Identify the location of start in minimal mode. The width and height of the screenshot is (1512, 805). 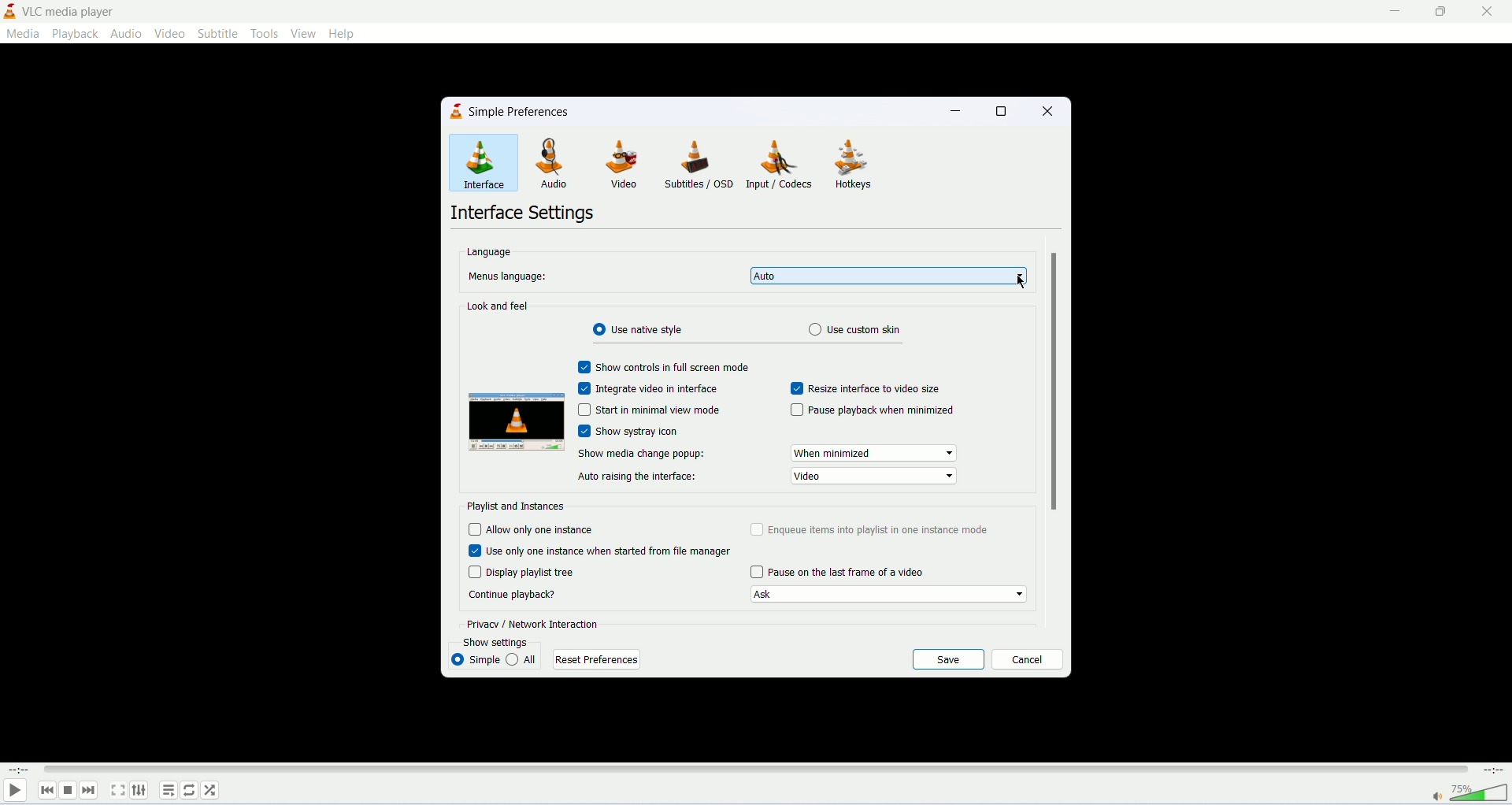
(648, 410).